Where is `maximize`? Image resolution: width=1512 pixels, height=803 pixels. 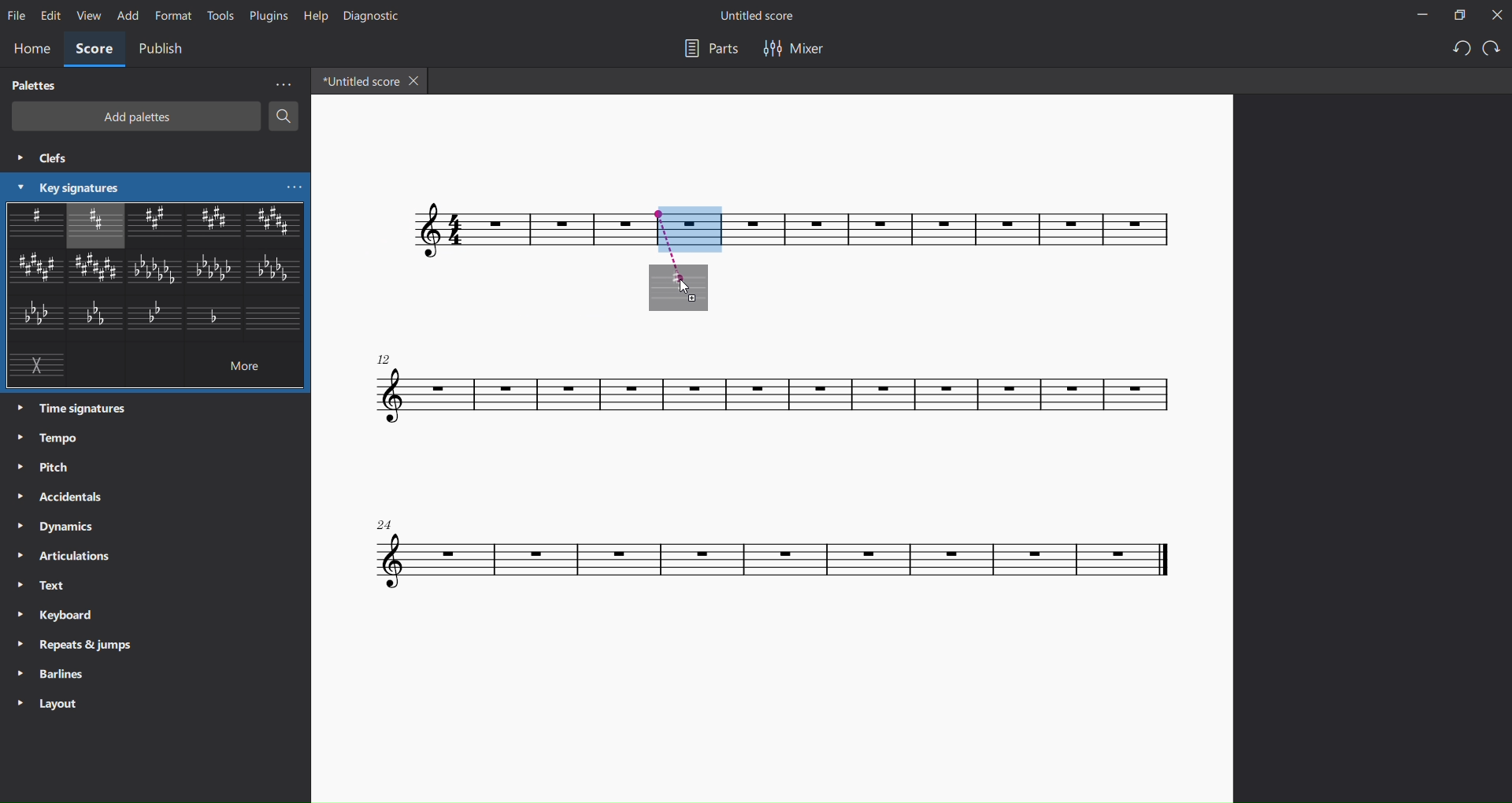
maximize is located at coordinates (1458, 16).